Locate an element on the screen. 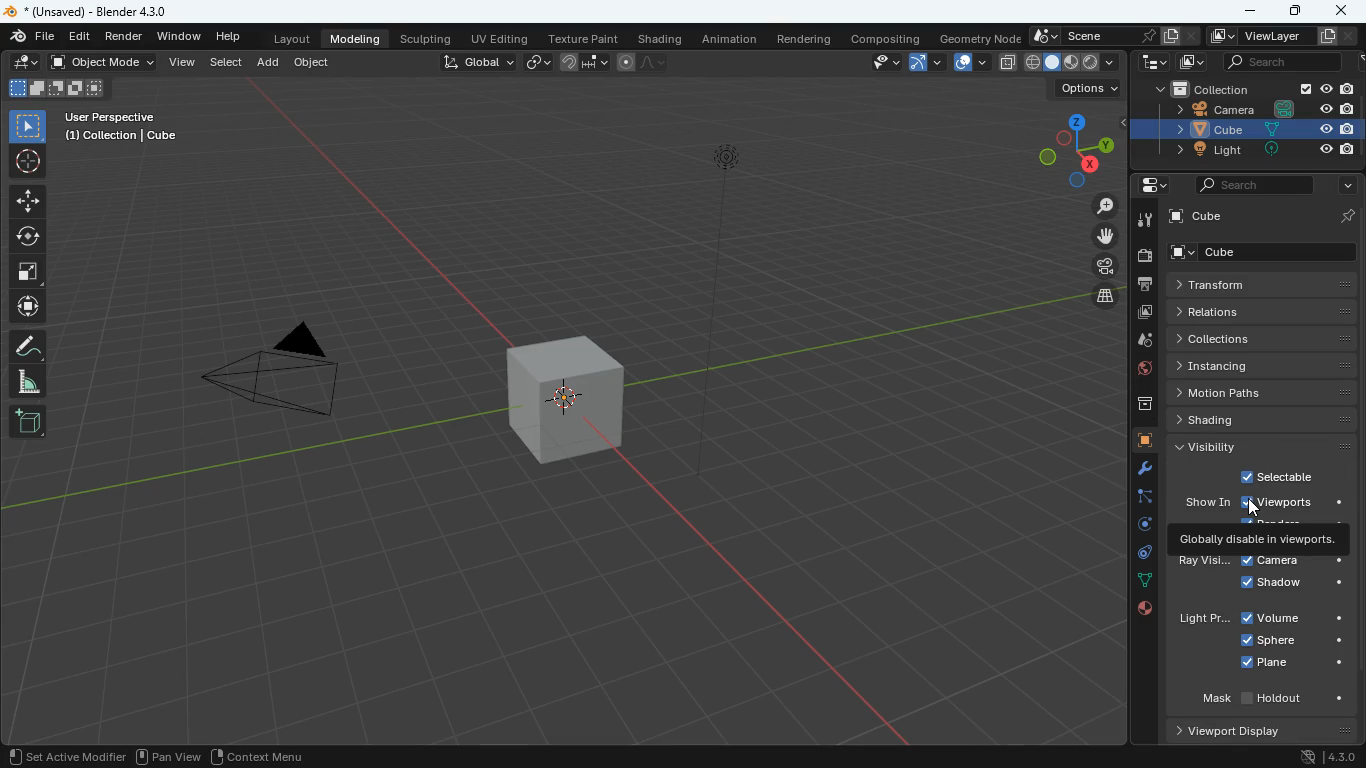 The height and width of the screenshot is (768, 1366). text is located at coordinates (123, 128).